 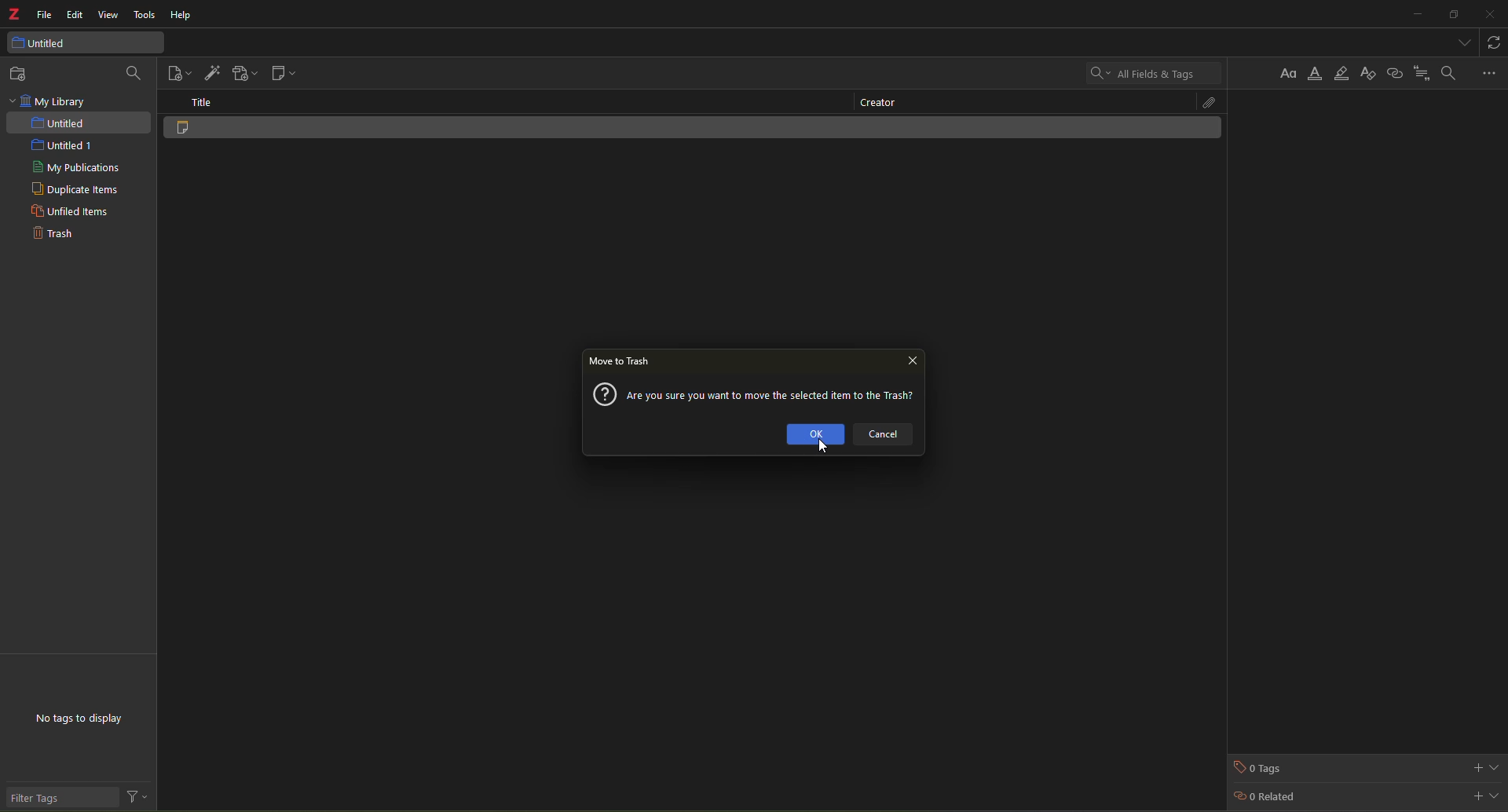 I want to click on z, so click(x=16, y=16).